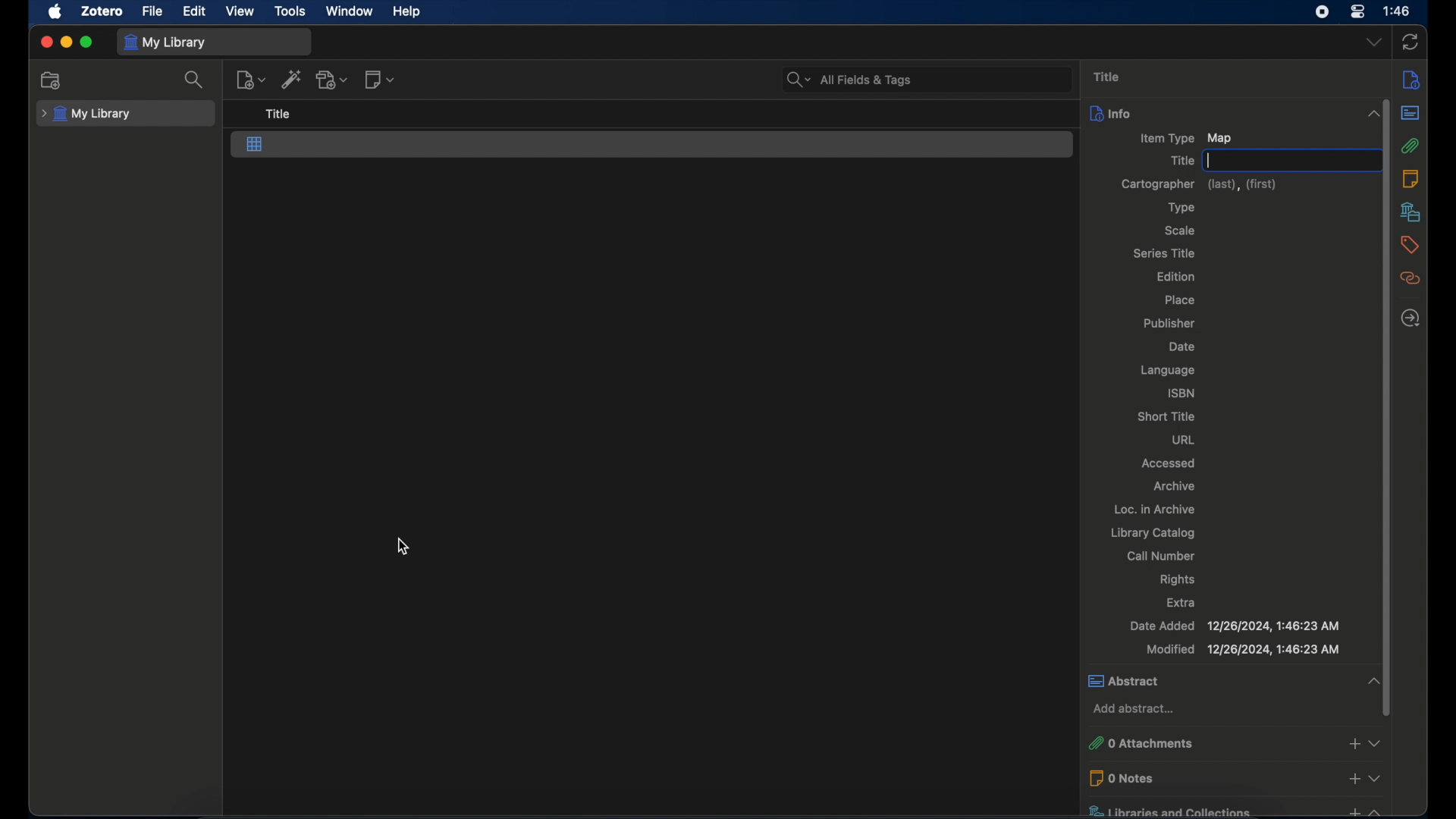 The image size is (1456, 819). What do you see at coordinates (1158, 184) in the screenshot?
I see `Cartographer` at bounding box center [1158, 184].